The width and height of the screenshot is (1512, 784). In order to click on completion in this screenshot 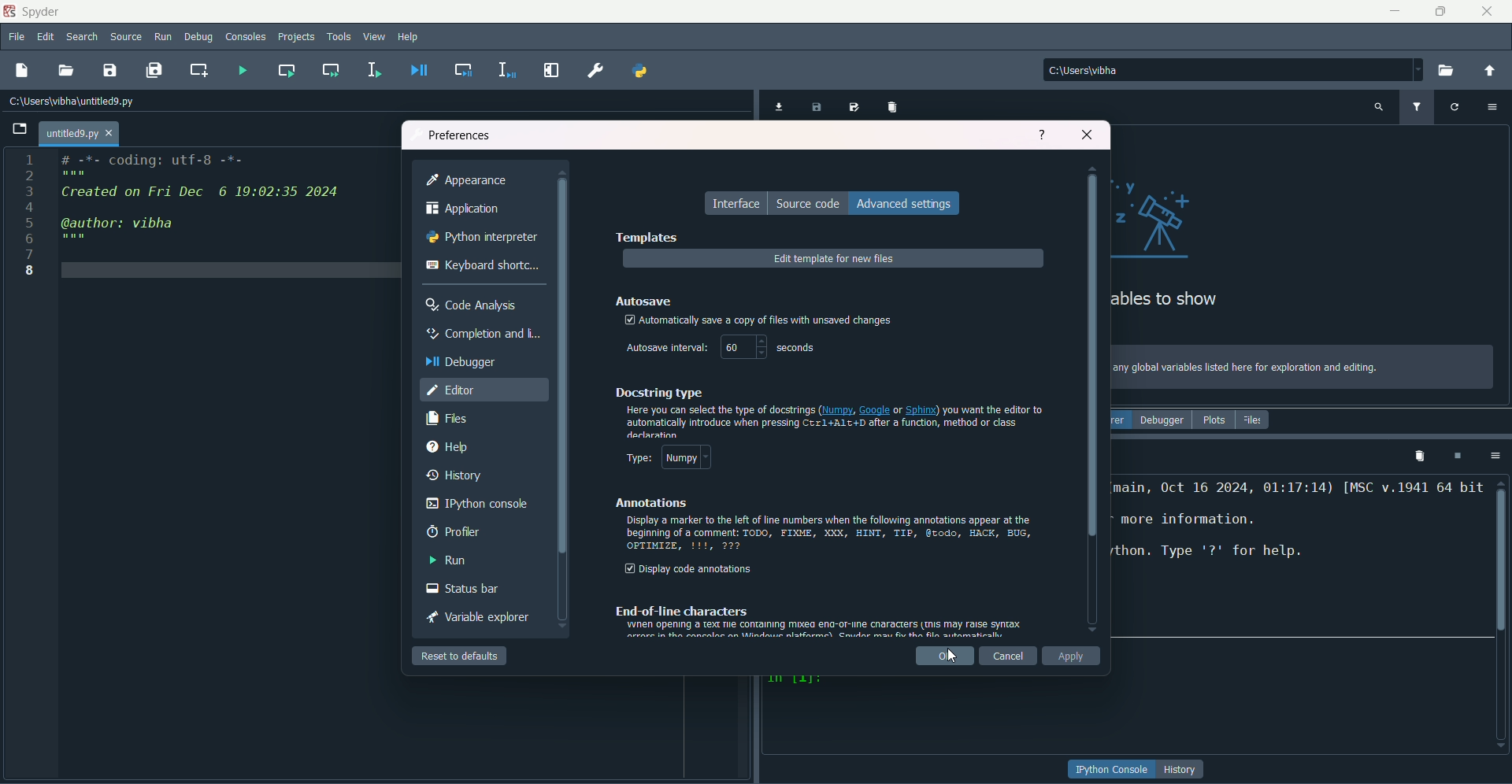, I will do `click(480, 334)`.